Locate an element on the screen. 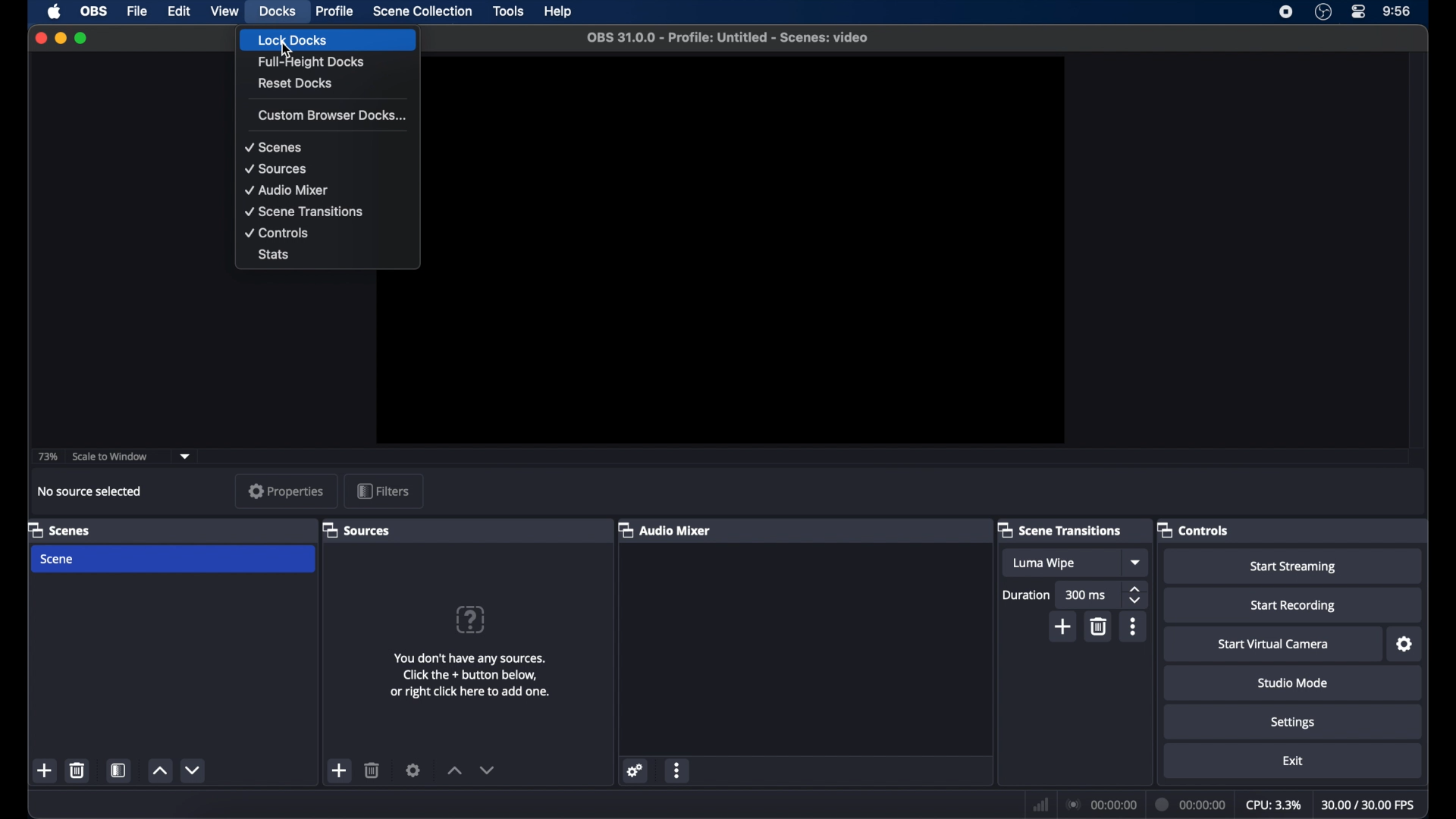 This screenshot has height=819, width=1456. help  is located at coordinates (470, 620).